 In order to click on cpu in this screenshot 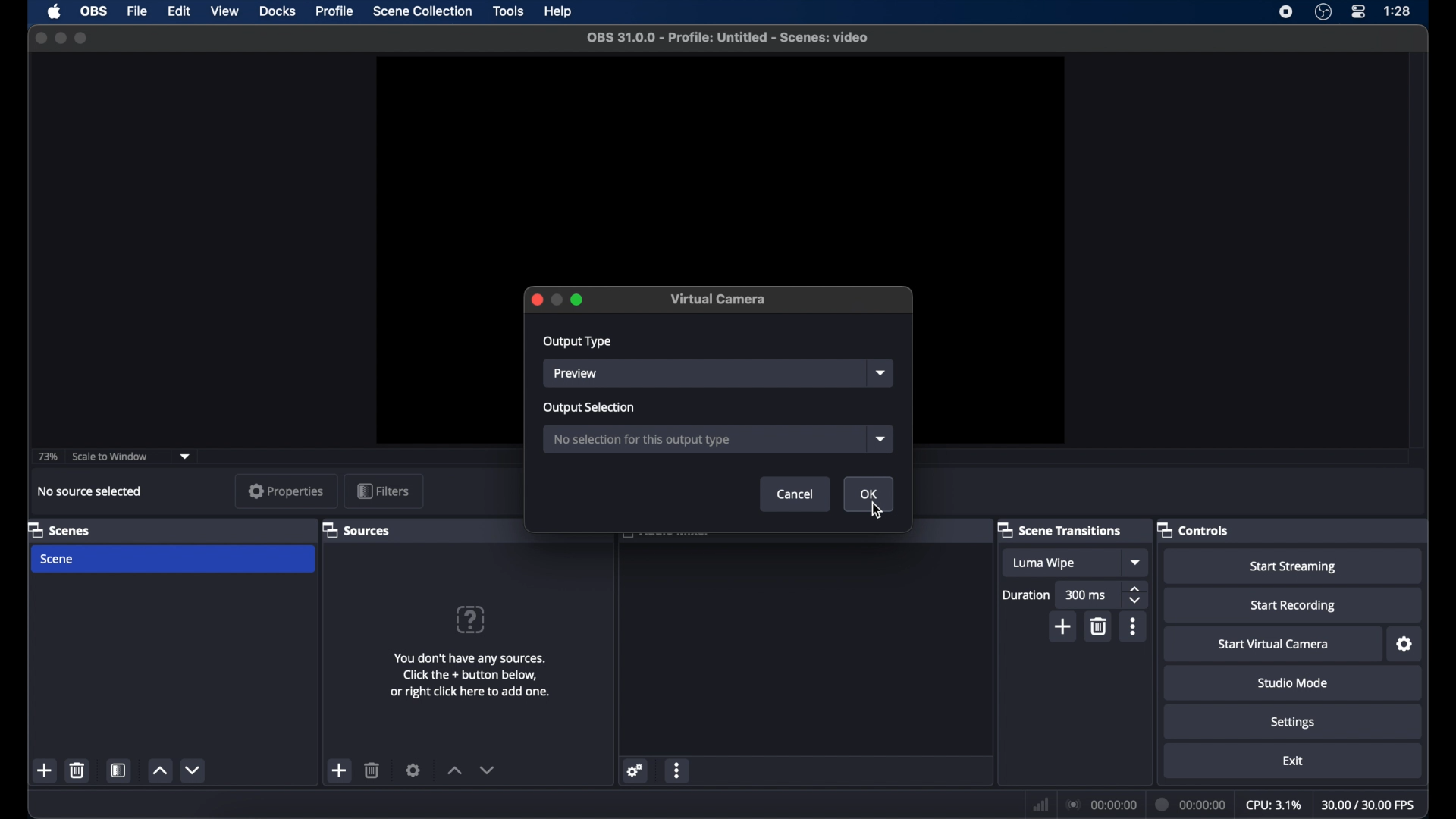, I will do `click(1272, 805)`.